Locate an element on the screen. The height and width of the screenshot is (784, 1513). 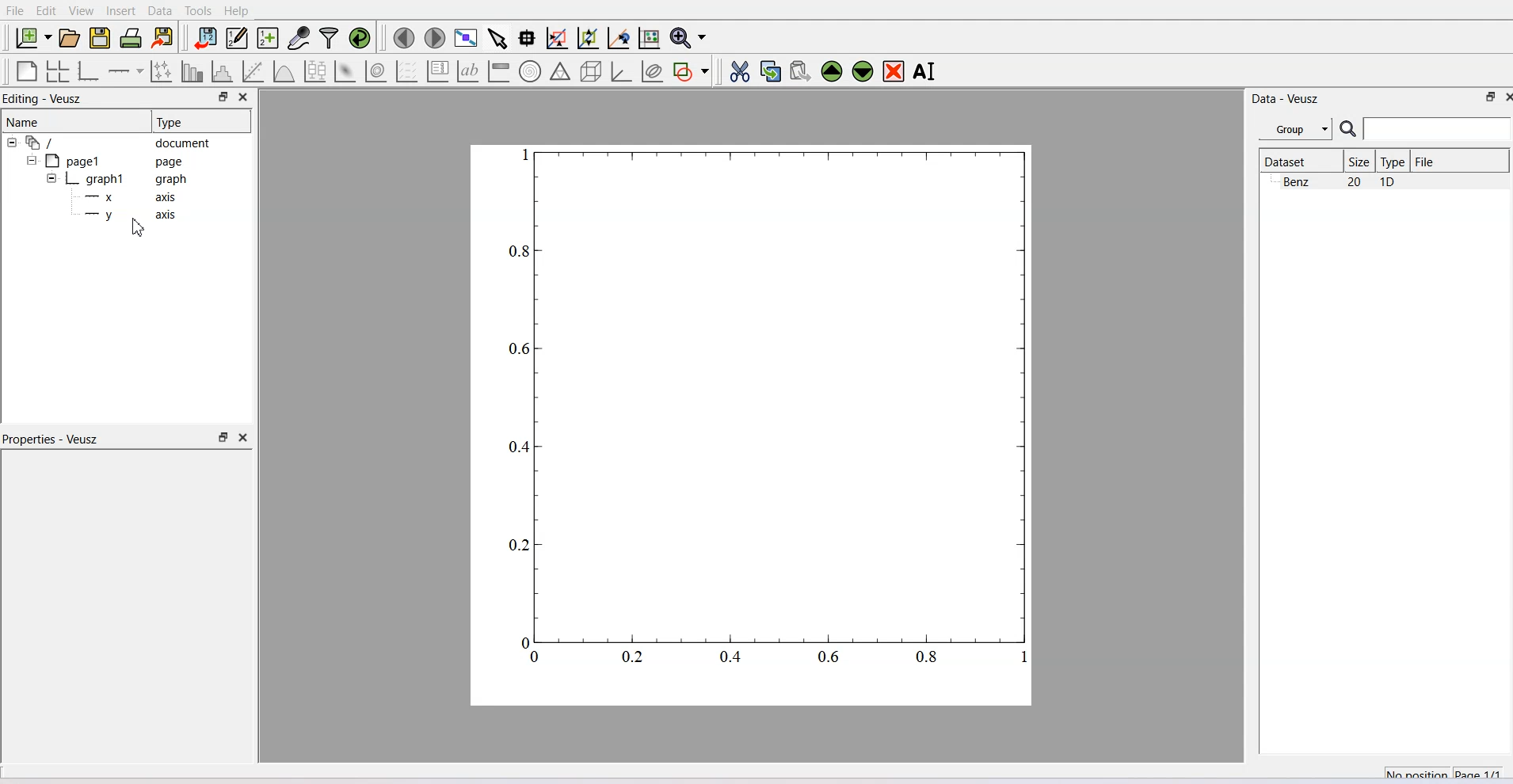
Filter Data is located at coordinates (330, 37).